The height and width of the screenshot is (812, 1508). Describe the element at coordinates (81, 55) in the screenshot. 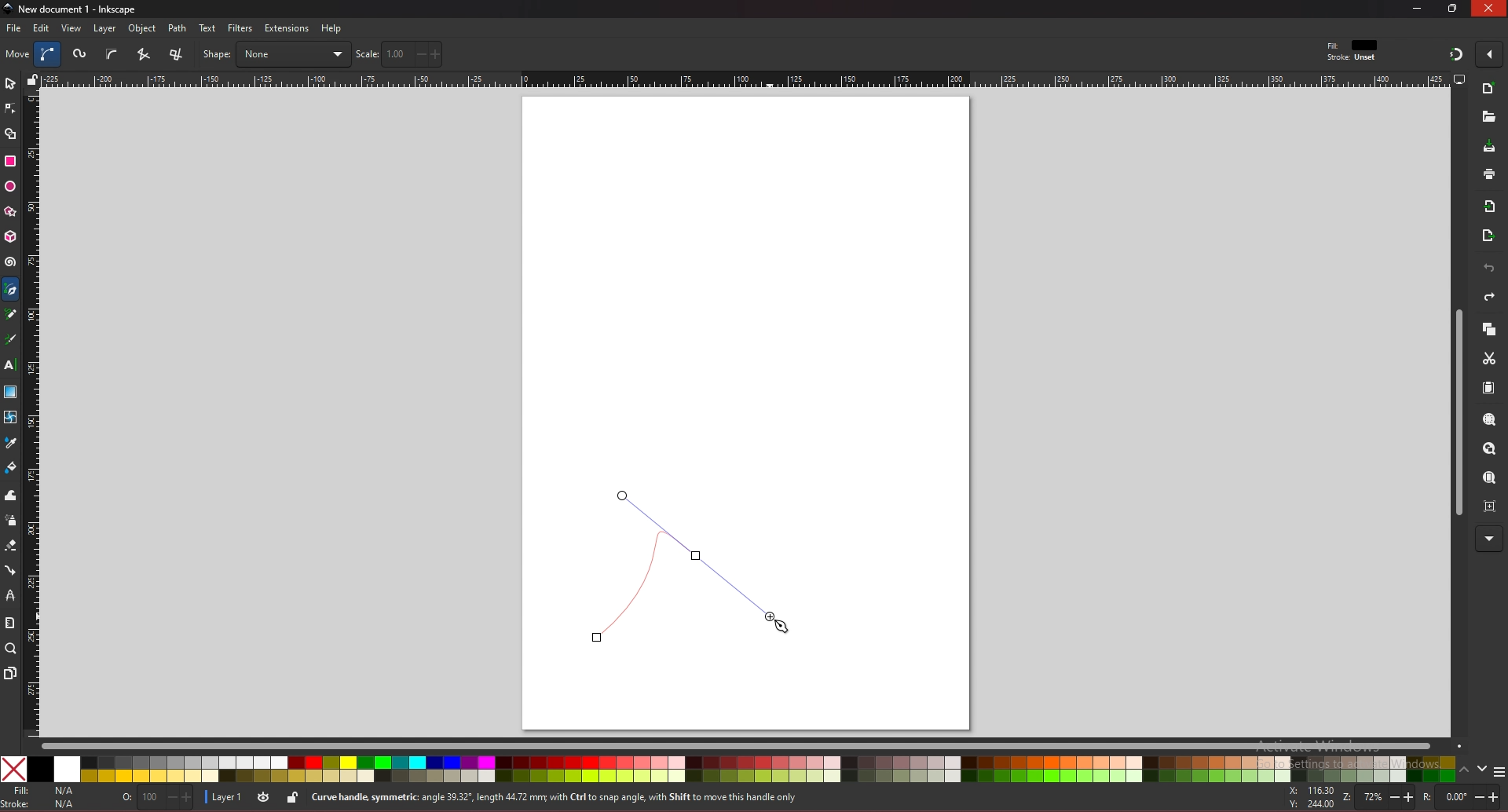

I see `spiro path` at that location.